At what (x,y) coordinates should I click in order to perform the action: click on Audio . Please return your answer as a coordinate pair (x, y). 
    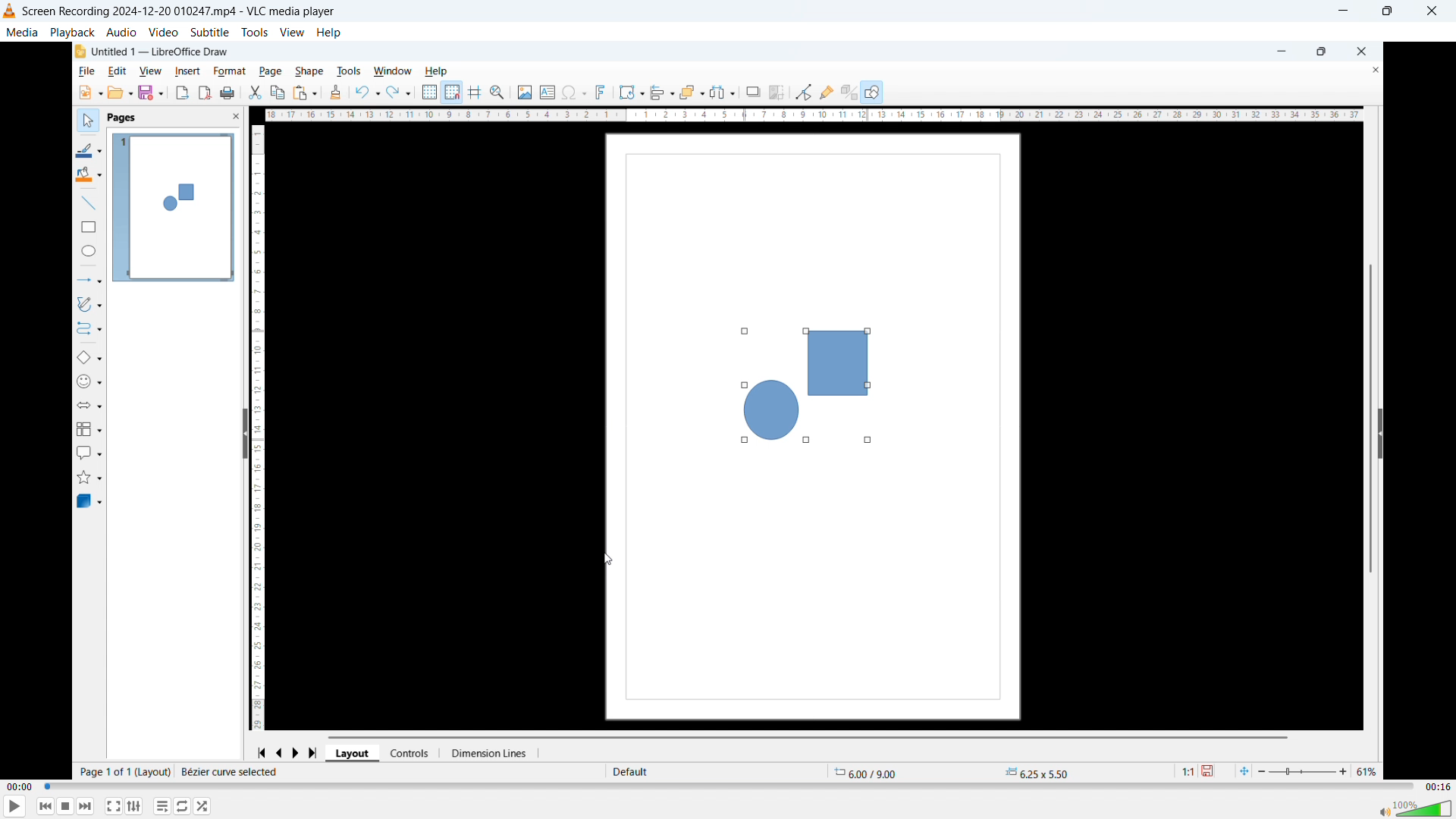
    Looking at the image, I should click on (122, 32).